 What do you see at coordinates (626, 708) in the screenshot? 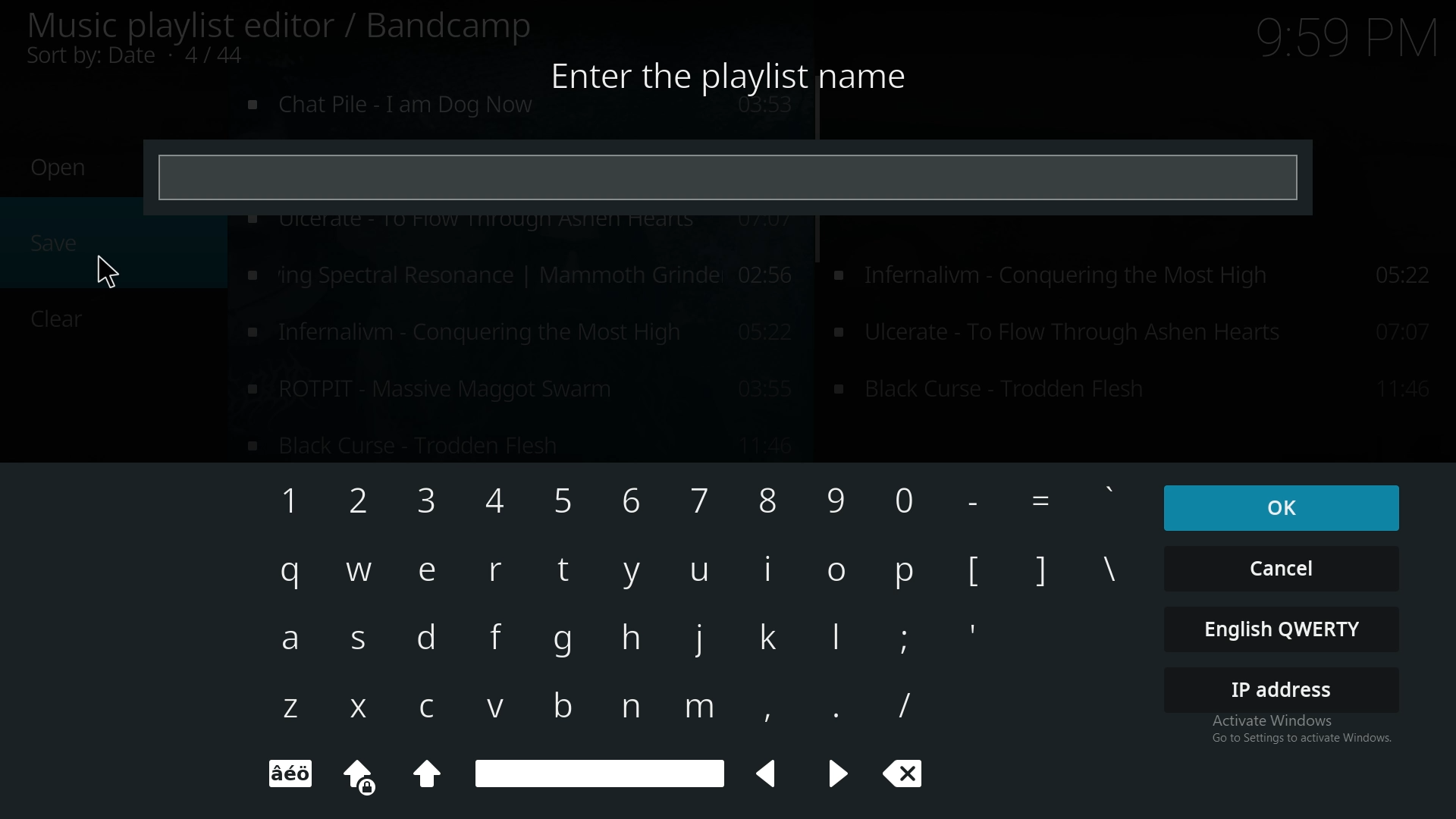
I see `keyboard input` at bounding box center [626, 708].